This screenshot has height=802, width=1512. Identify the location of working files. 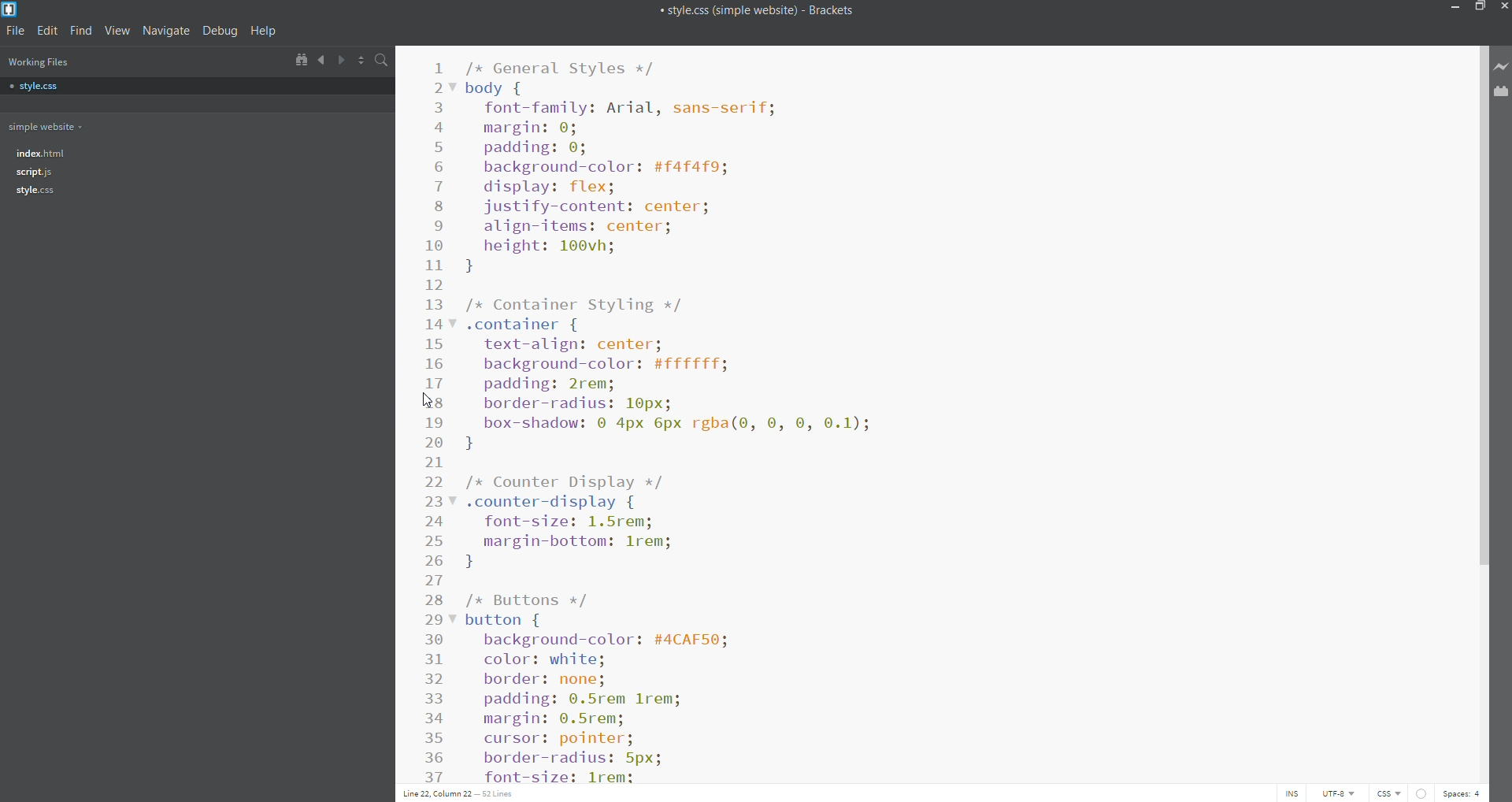
(37, 61).